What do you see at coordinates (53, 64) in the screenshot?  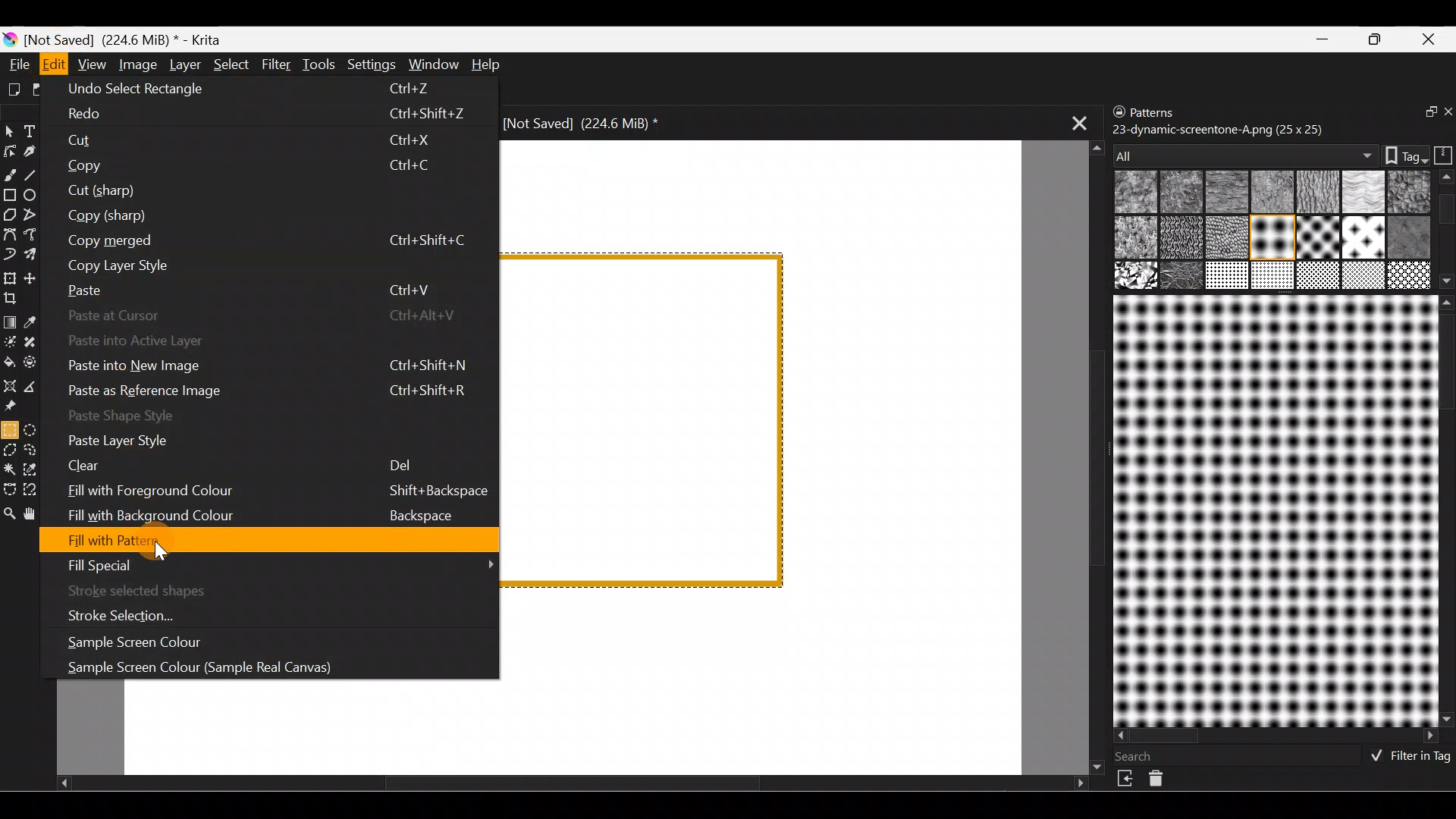 I see `Edit` at bounding box center [53, 64].